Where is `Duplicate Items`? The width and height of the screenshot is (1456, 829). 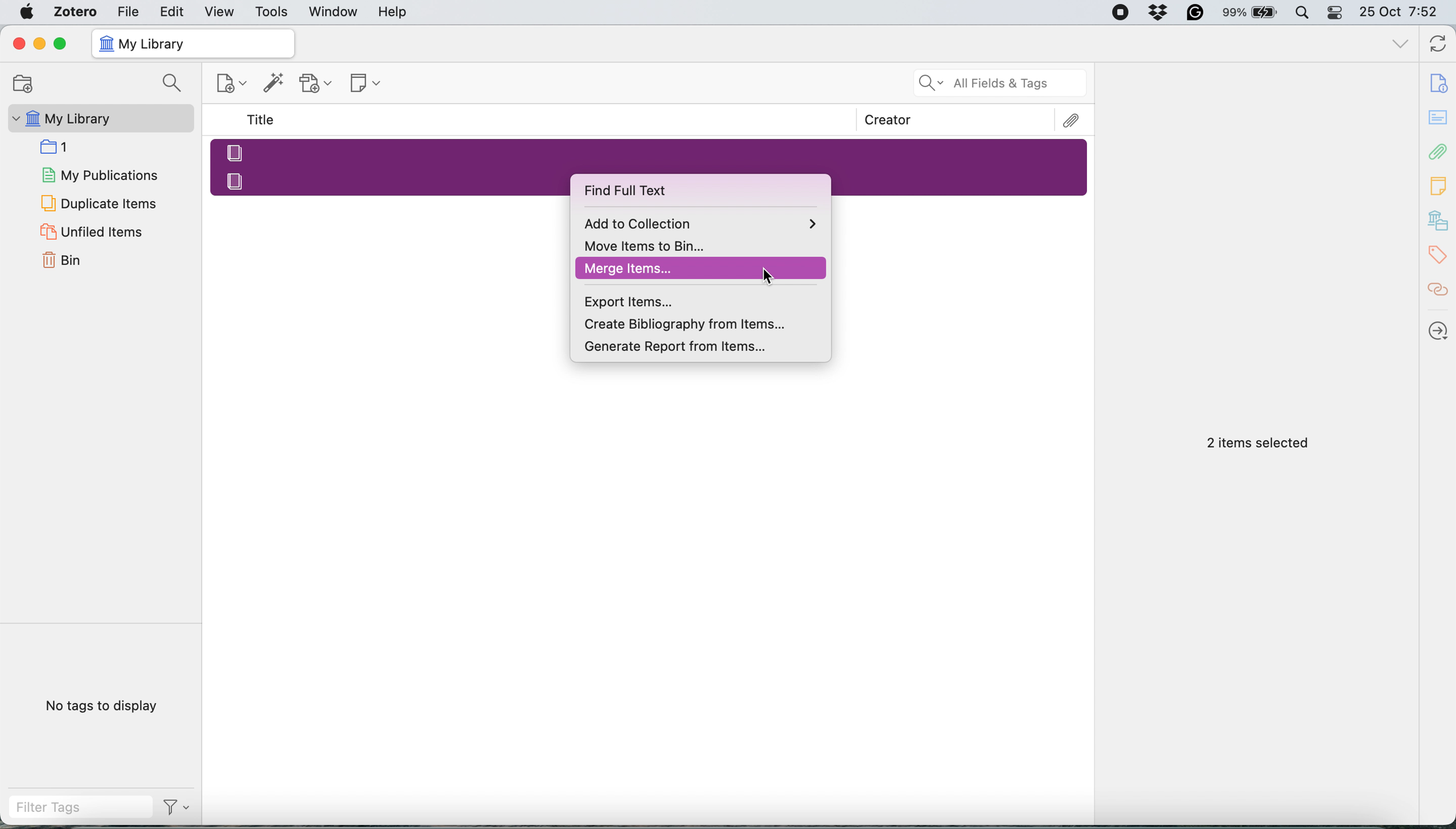
Duplicate Items is located at coordinates (97, 202).